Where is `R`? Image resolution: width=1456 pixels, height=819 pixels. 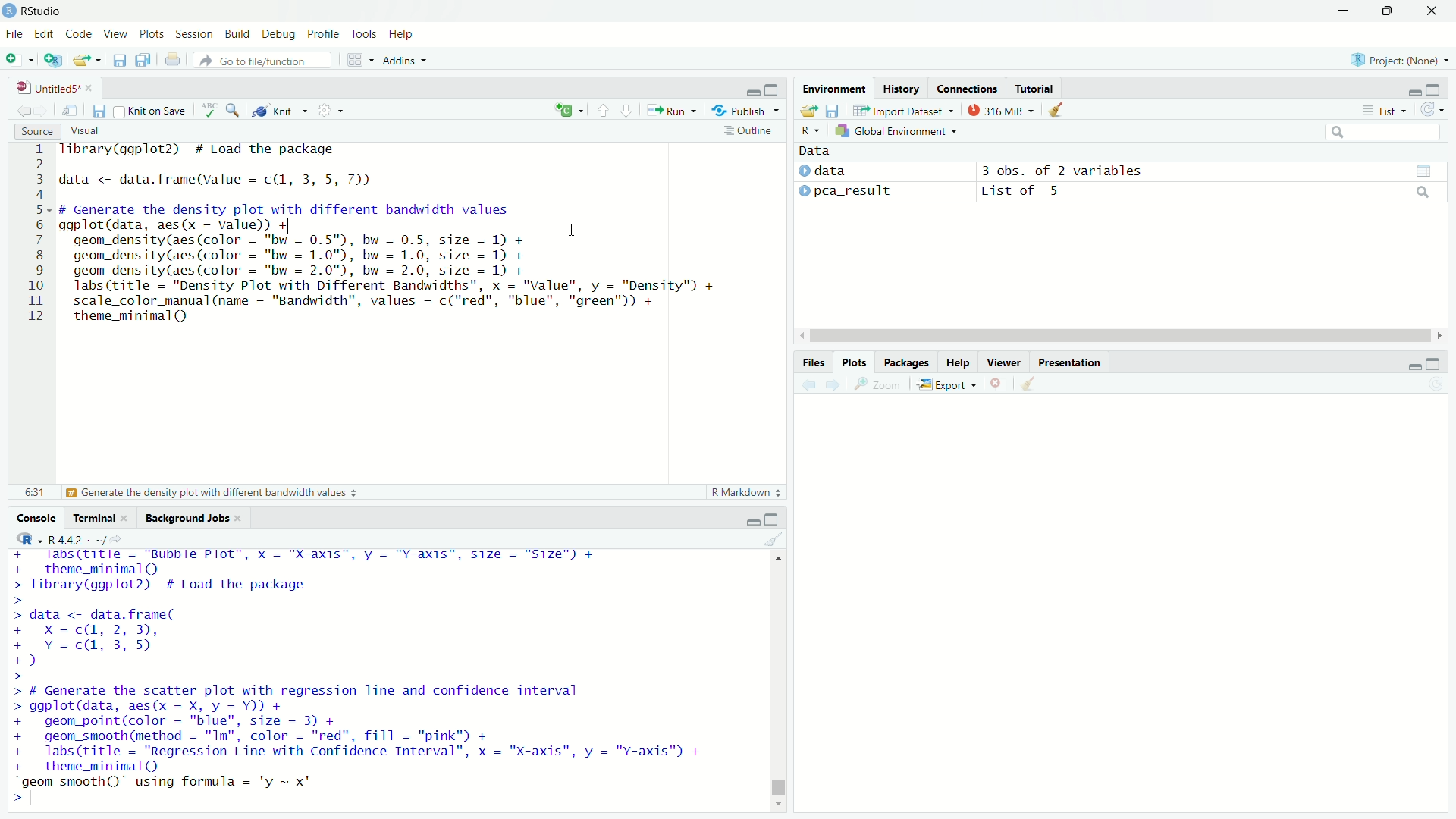
R is located at coordinates (26, 538).